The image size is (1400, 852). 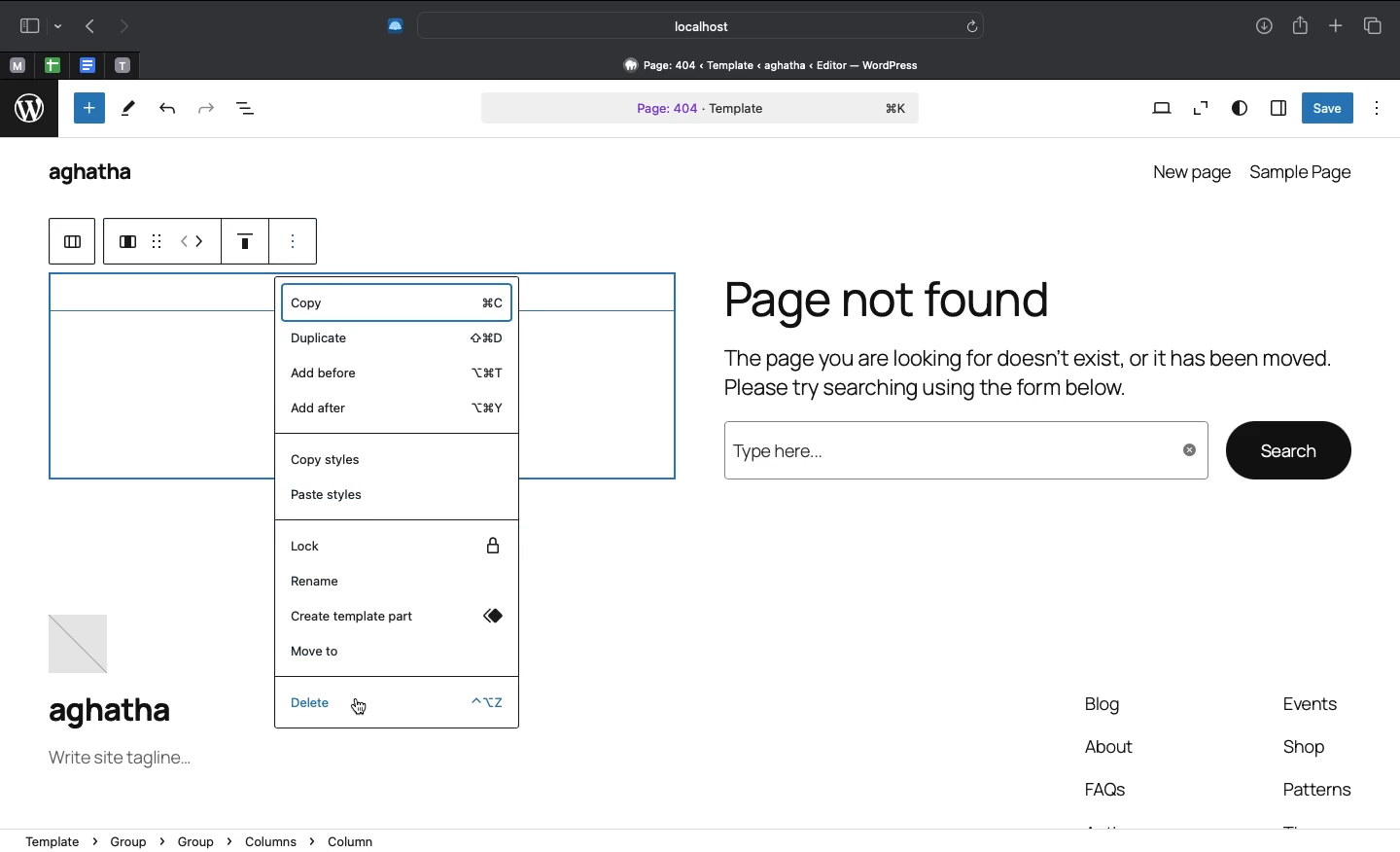 What do you see at coordinates (761, 65) in the screenshot?
I see `Address` at bounding box center [761, 65].